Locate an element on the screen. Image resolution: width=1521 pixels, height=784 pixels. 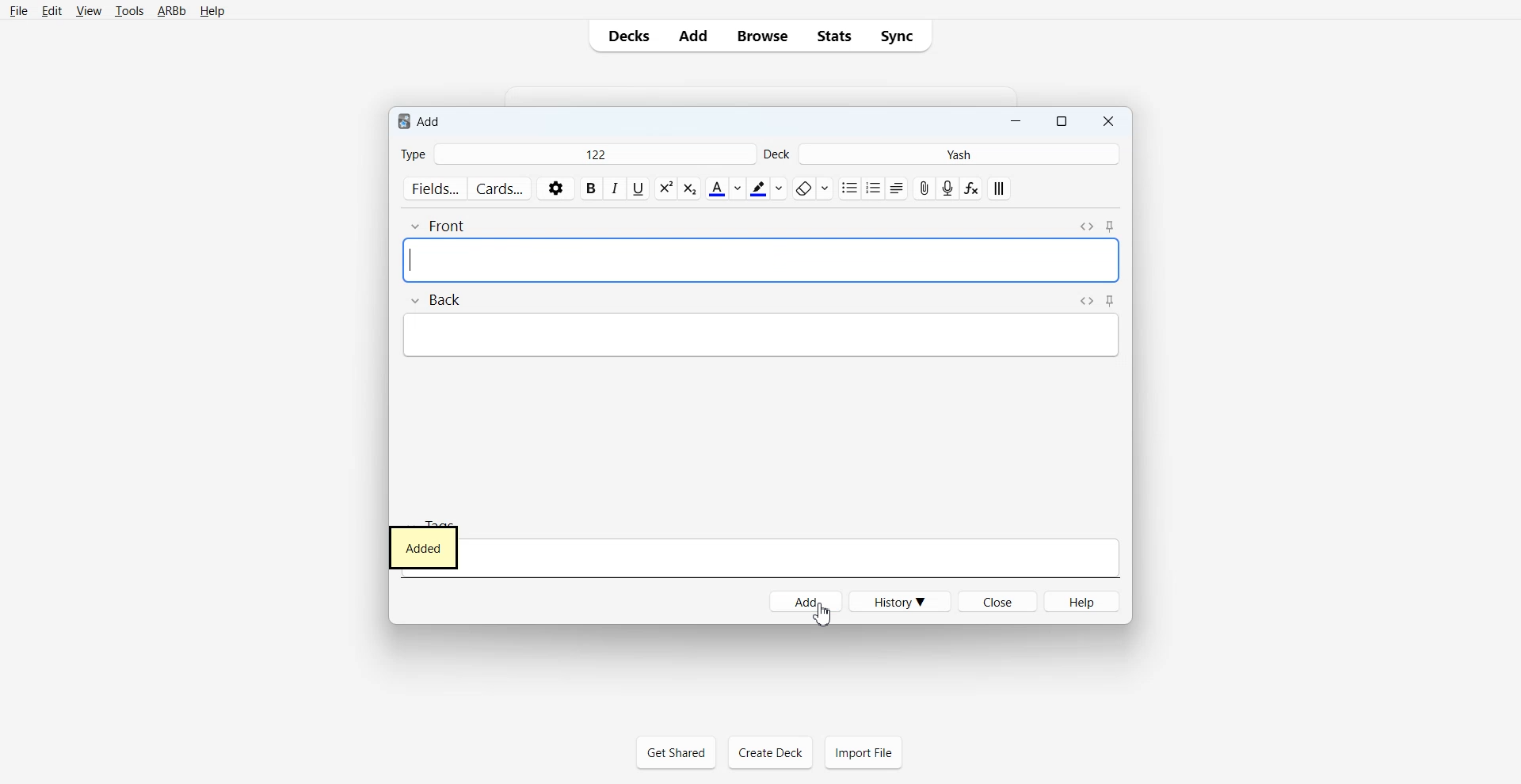
style is located at coordinates (679, 190).